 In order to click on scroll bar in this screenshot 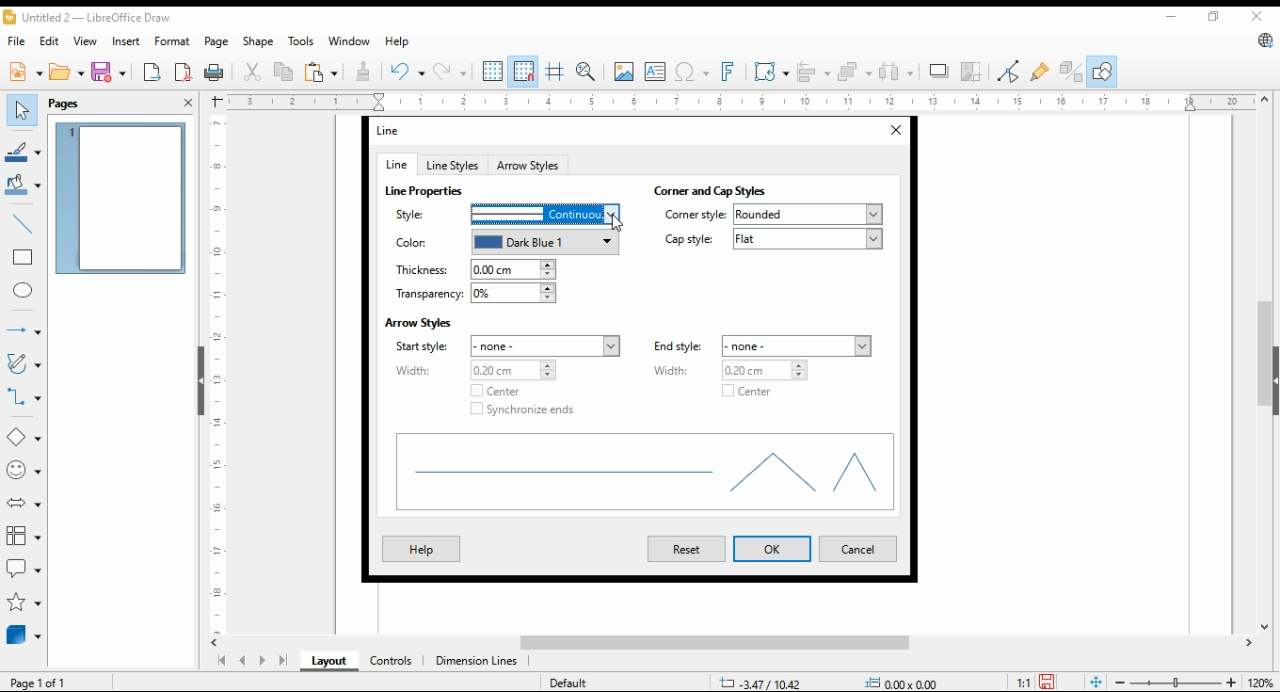, I will do `click(740, 644)`.